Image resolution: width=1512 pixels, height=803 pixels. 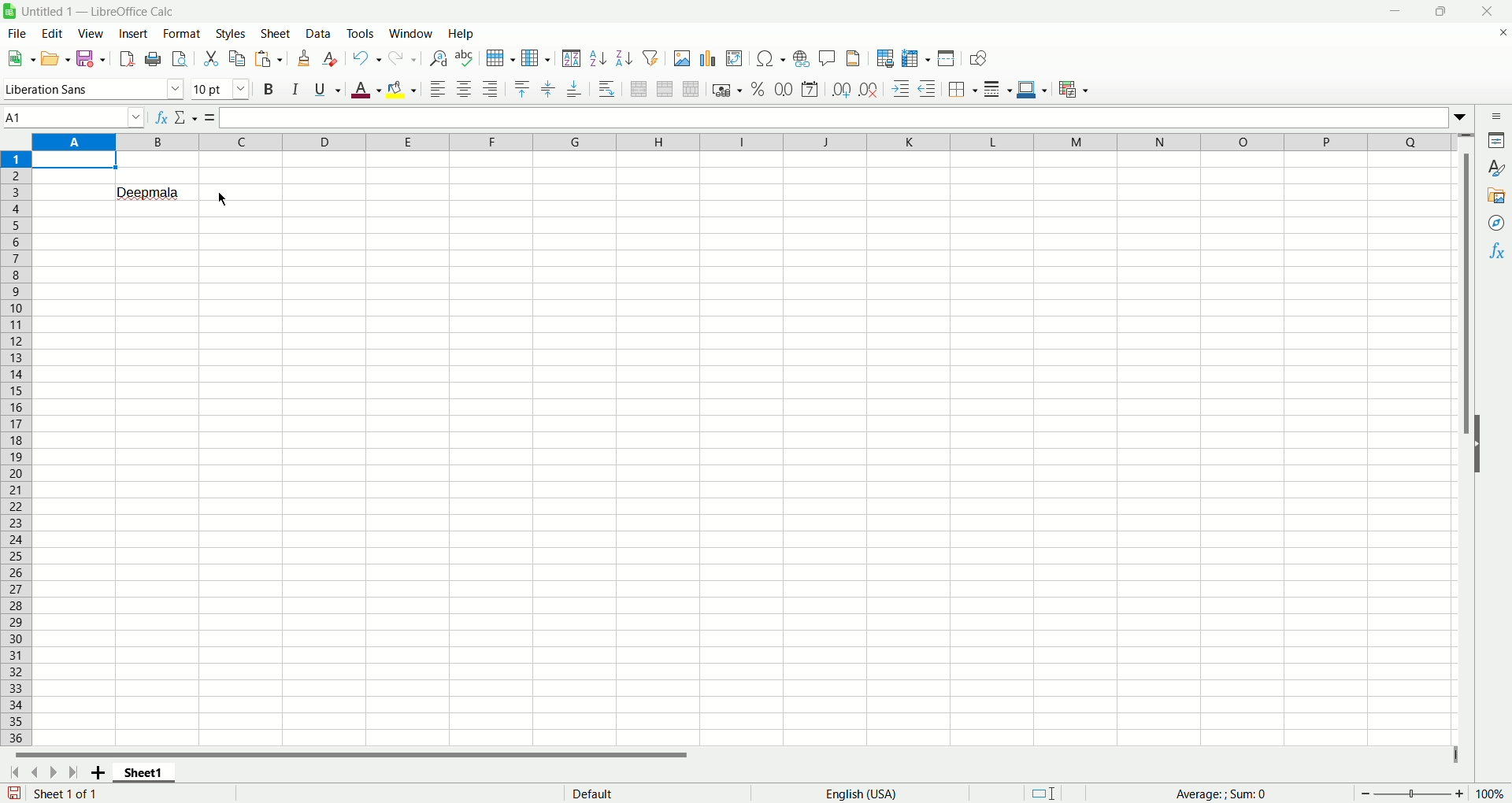 What do you see at coordinates (93, 35) in the screenshot?
I see `View` at bounding box center [93, 35].